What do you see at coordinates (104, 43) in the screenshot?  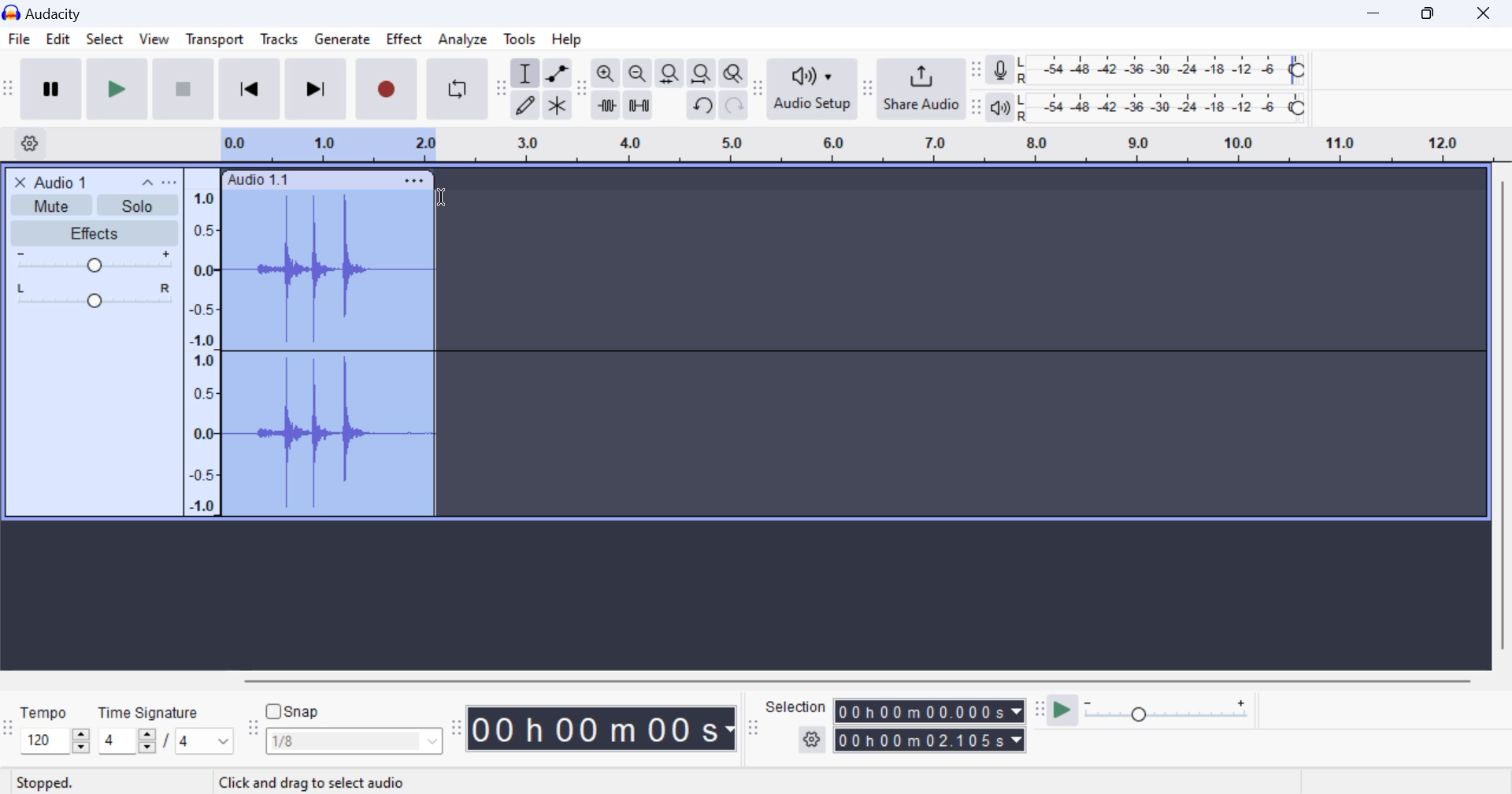 I see `Select` at bounding box center [104, 43].